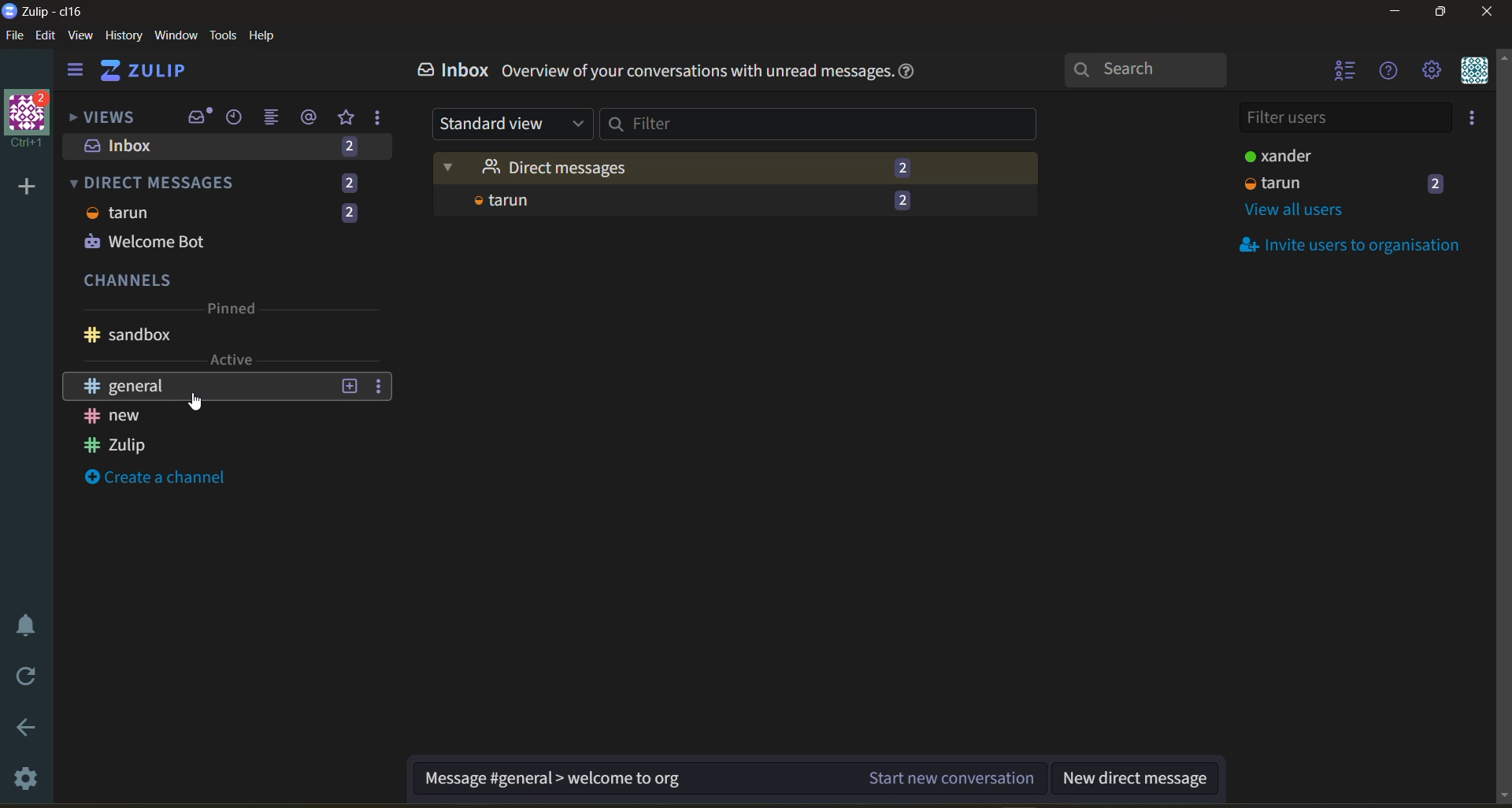 Image resolution: width=1512 pixels, height=808 pixels. What do you see at coordinates (231, 150) in the screenshot?
I see `inbox` at bounding box center [231, 150].